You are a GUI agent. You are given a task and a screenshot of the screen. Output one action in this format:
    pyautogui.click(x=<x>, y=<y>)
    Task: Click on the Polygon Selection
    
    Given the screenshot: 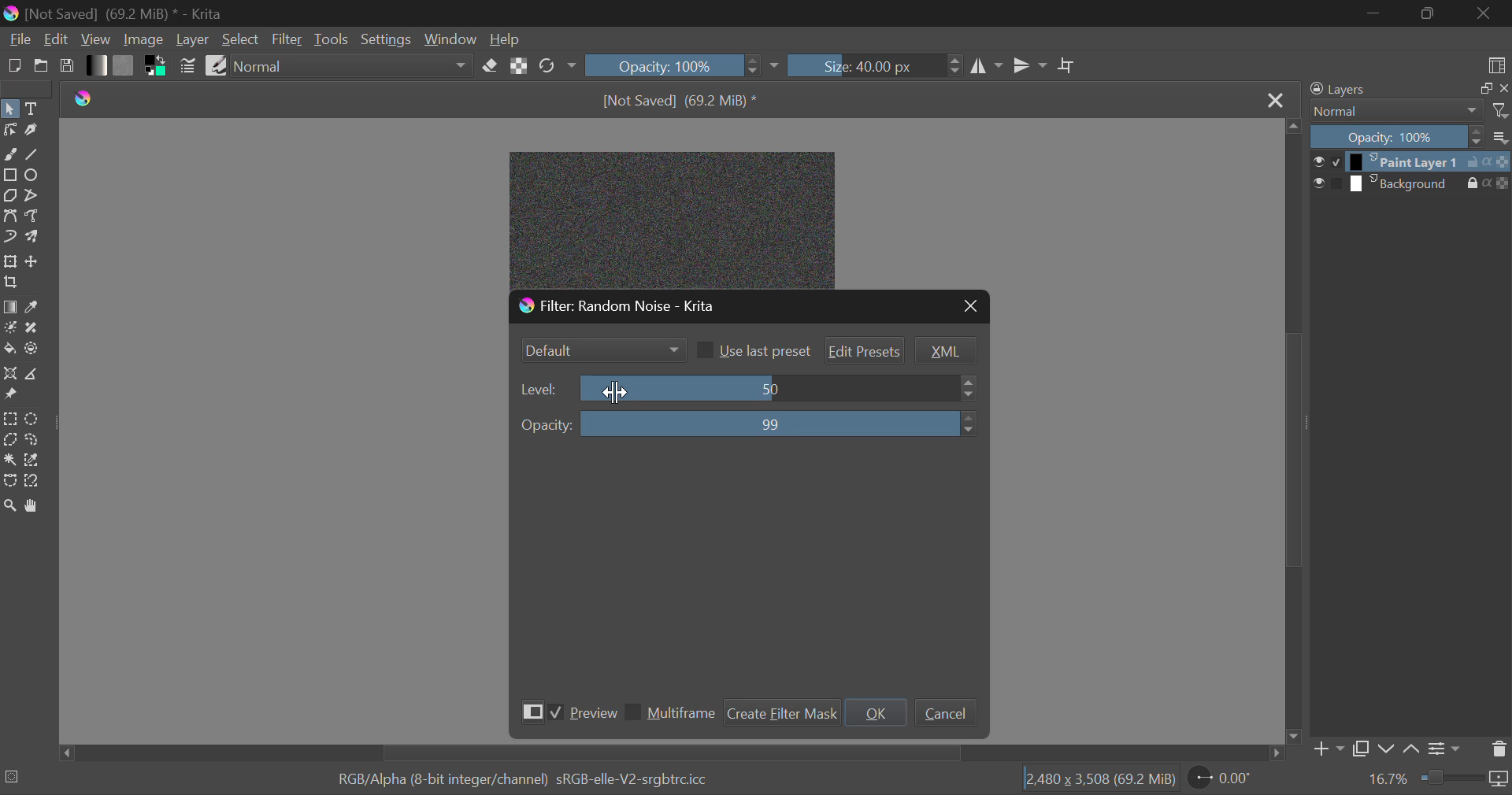 What is the action you would take?
    pyautogui.click(x=9, y=440)
    